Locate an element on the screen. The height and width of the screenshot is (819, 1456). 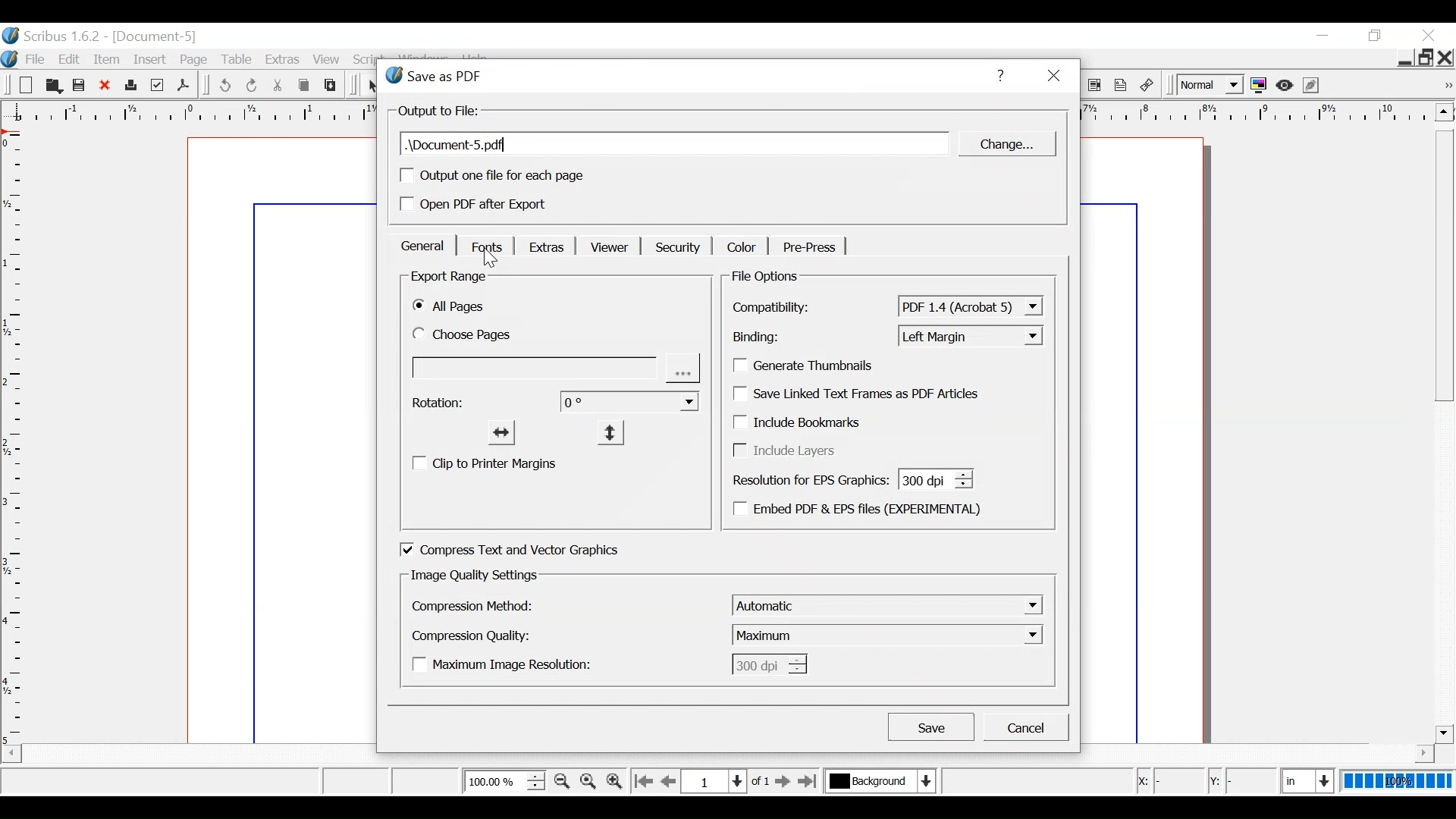
Fonts is located at coordinates (486, 245).